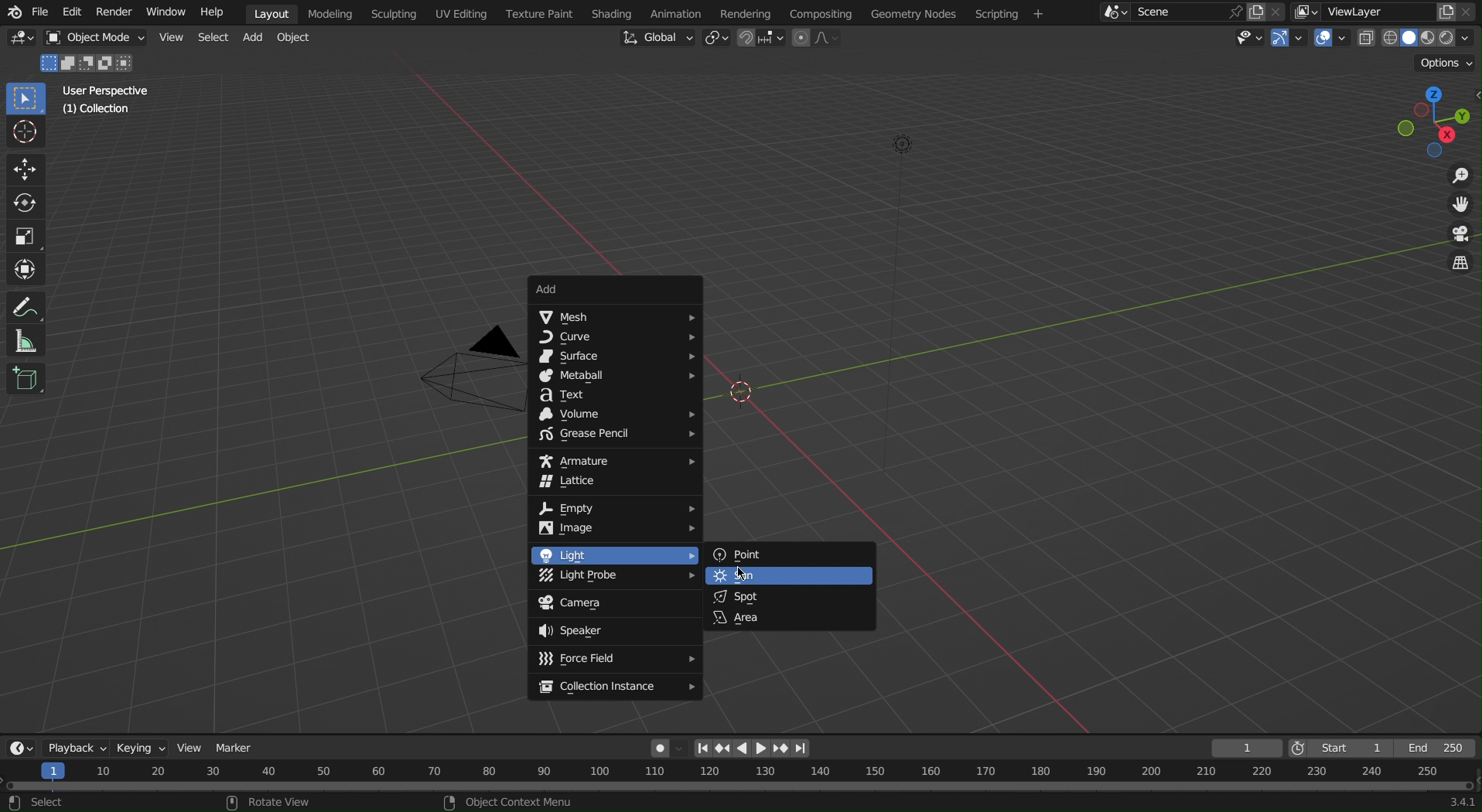 The image size is (1482, 812). What do you see at coordinates (193, 749) in the screenshot?
I see `View` at bounding box center [193, 749].